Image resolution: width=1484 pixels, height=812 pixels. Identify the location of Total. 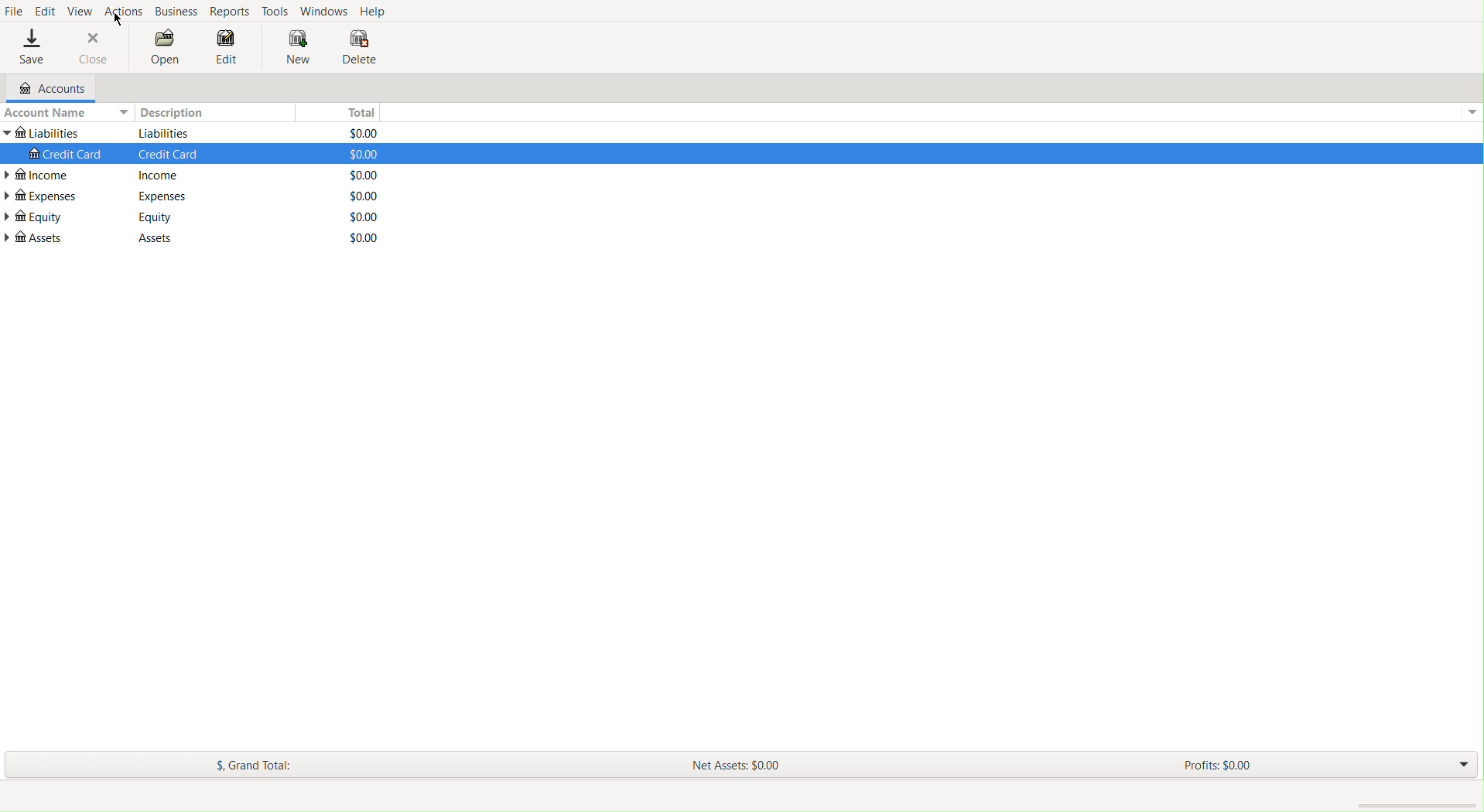
(365, 238).